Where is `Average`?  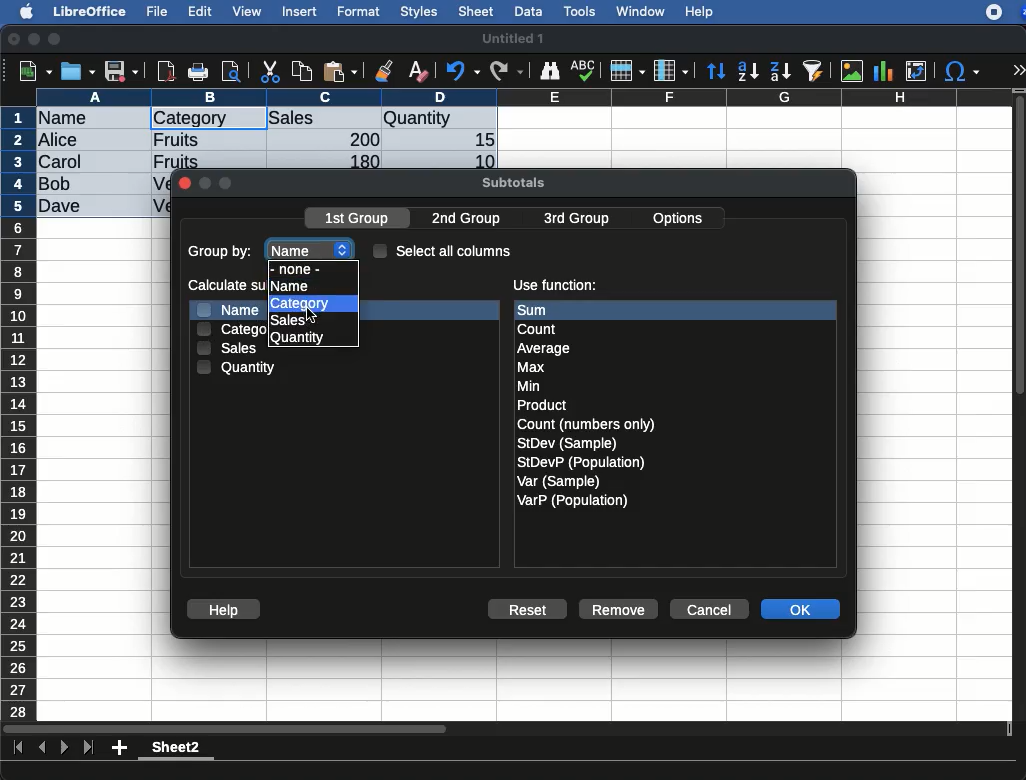 Average is located at coordinates (545, 348).